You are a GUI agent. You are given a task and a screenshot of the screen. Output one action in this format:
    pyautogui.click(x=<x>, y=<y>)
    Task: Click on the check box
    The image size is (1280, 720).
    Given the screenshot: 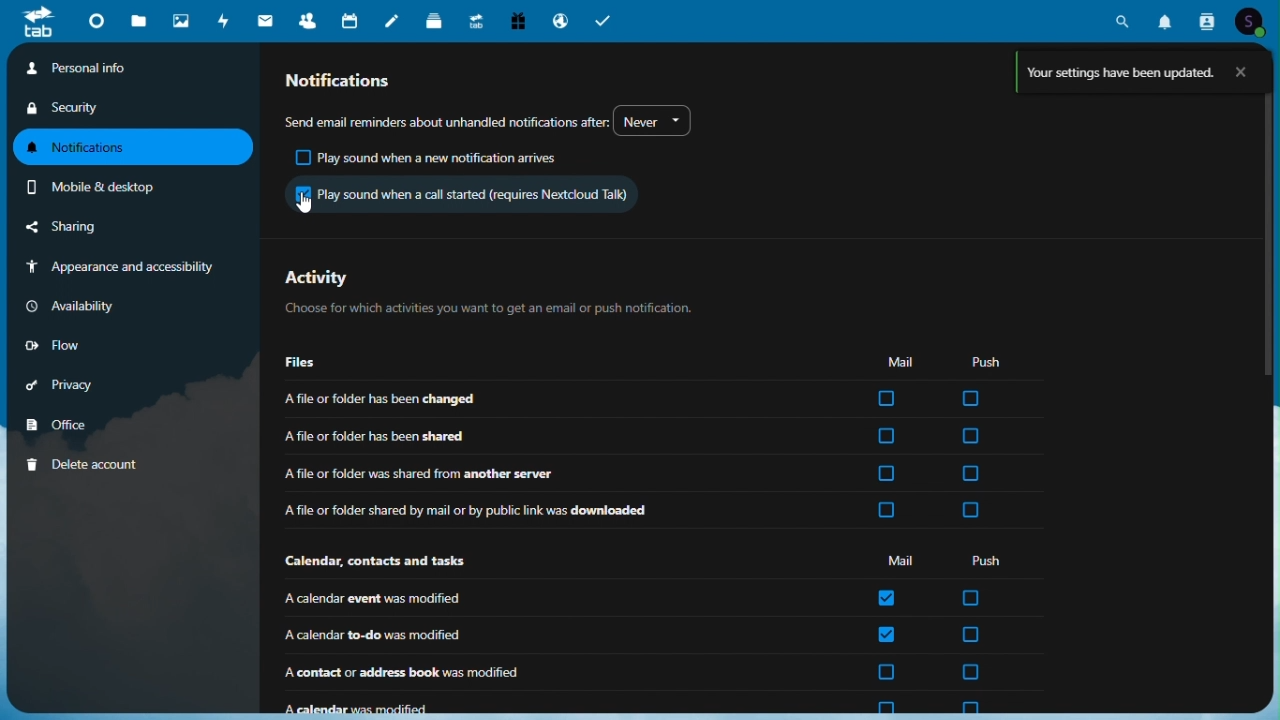 What is the action you would take?
    pyautogui.click(x=887, y=597)
    